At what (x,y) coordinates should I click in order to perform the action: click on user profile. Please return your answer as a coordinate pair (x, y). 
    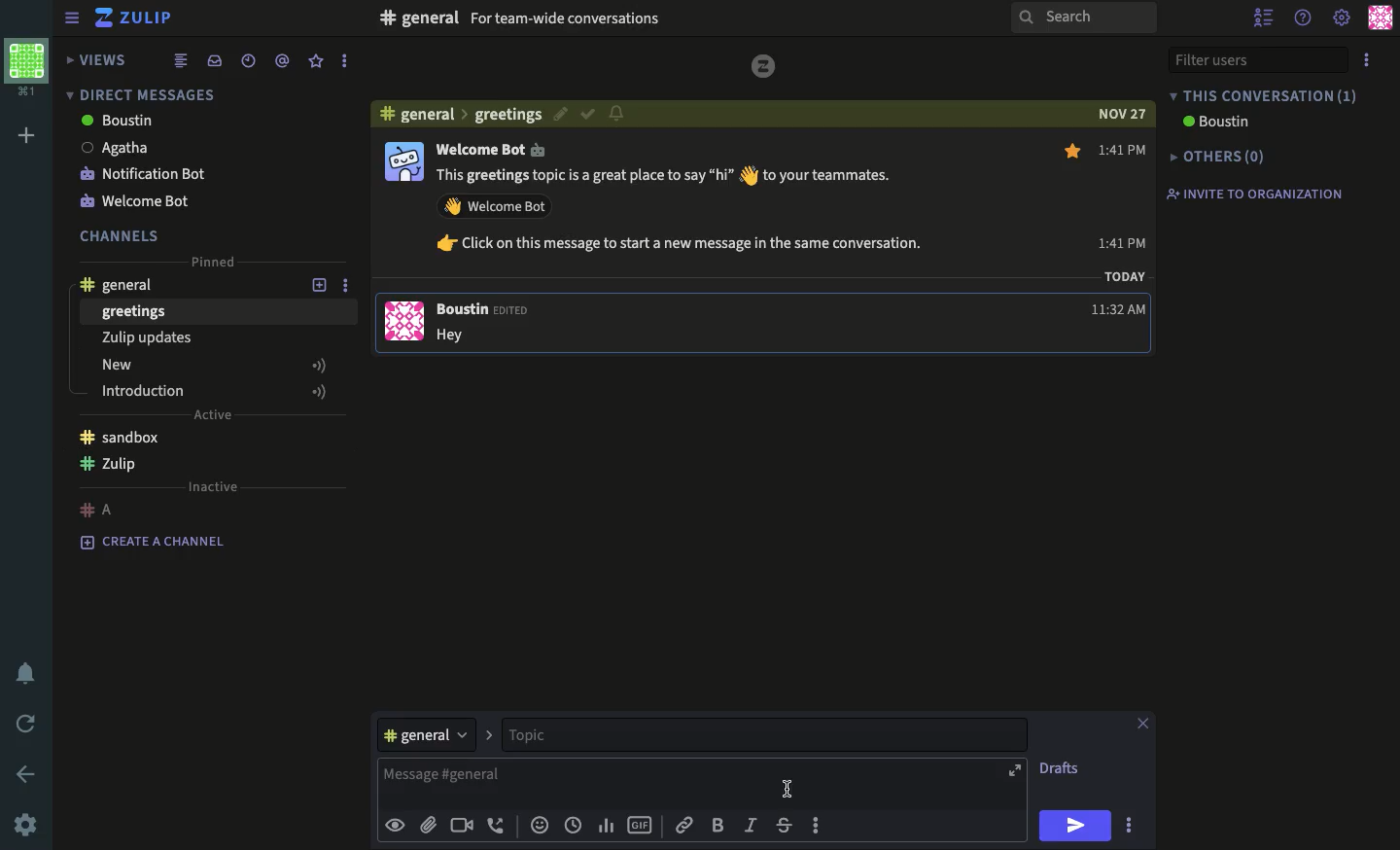
    Looking at the image, I should click on (403, 239).